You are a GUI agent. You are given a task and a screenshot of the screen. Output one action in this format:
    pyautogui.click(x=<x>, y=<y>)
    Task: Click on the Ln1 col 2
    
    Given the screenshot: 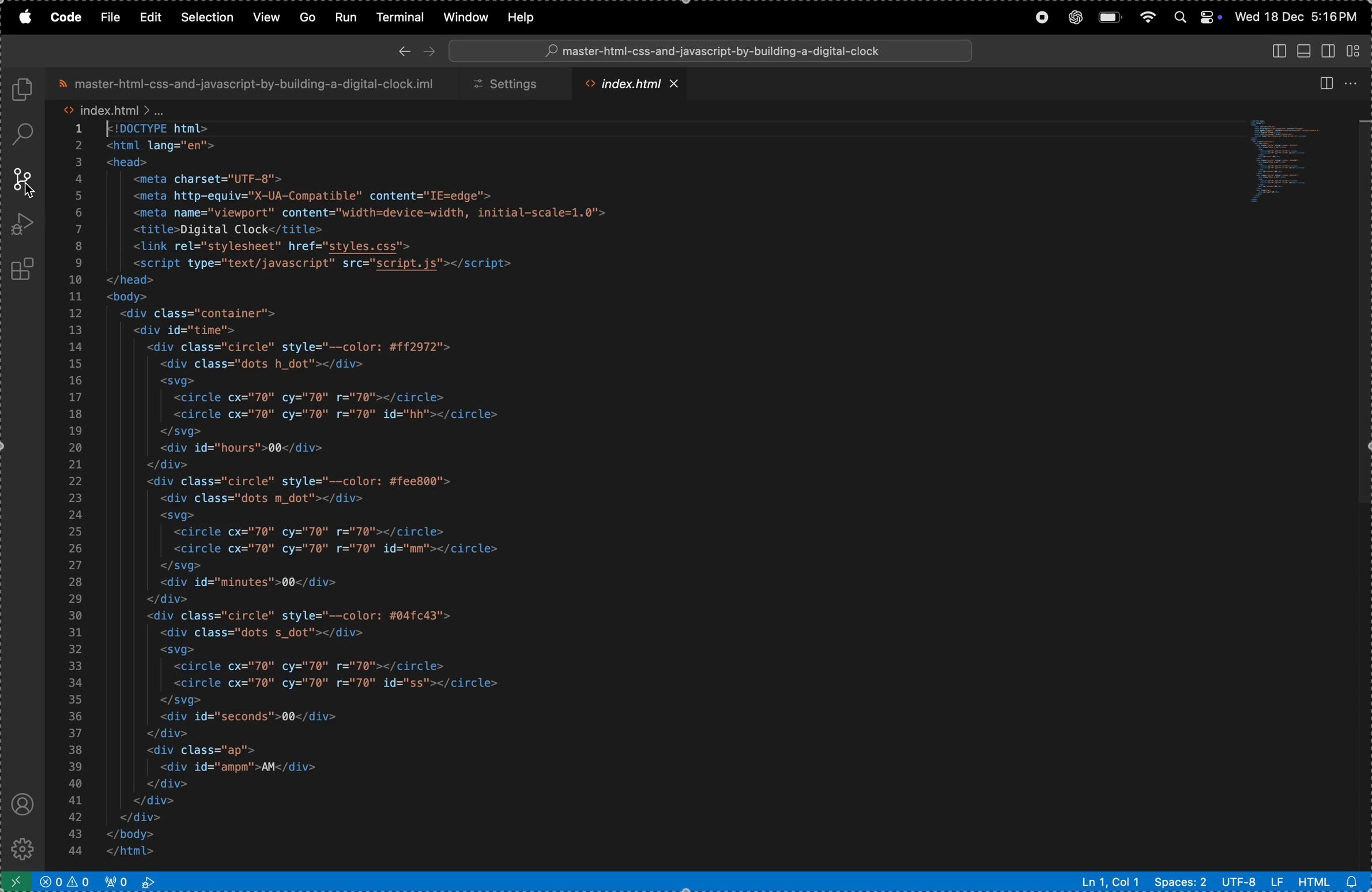 What is the action you would take?
    pyautogui.click(x=1110, y=882)
    